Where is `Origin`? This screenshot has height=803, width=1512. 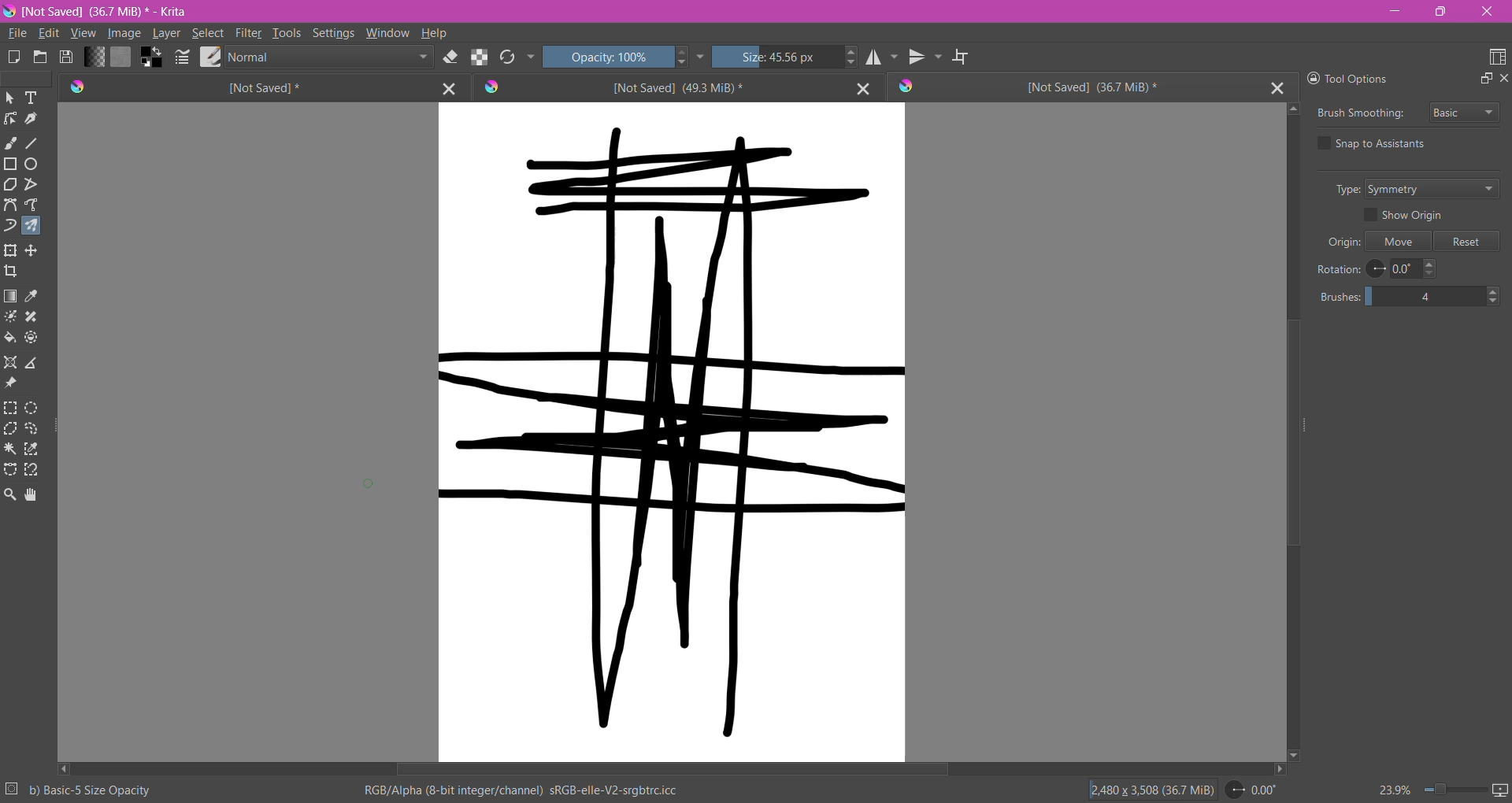
Origin is located at coordinates (1339, 243).